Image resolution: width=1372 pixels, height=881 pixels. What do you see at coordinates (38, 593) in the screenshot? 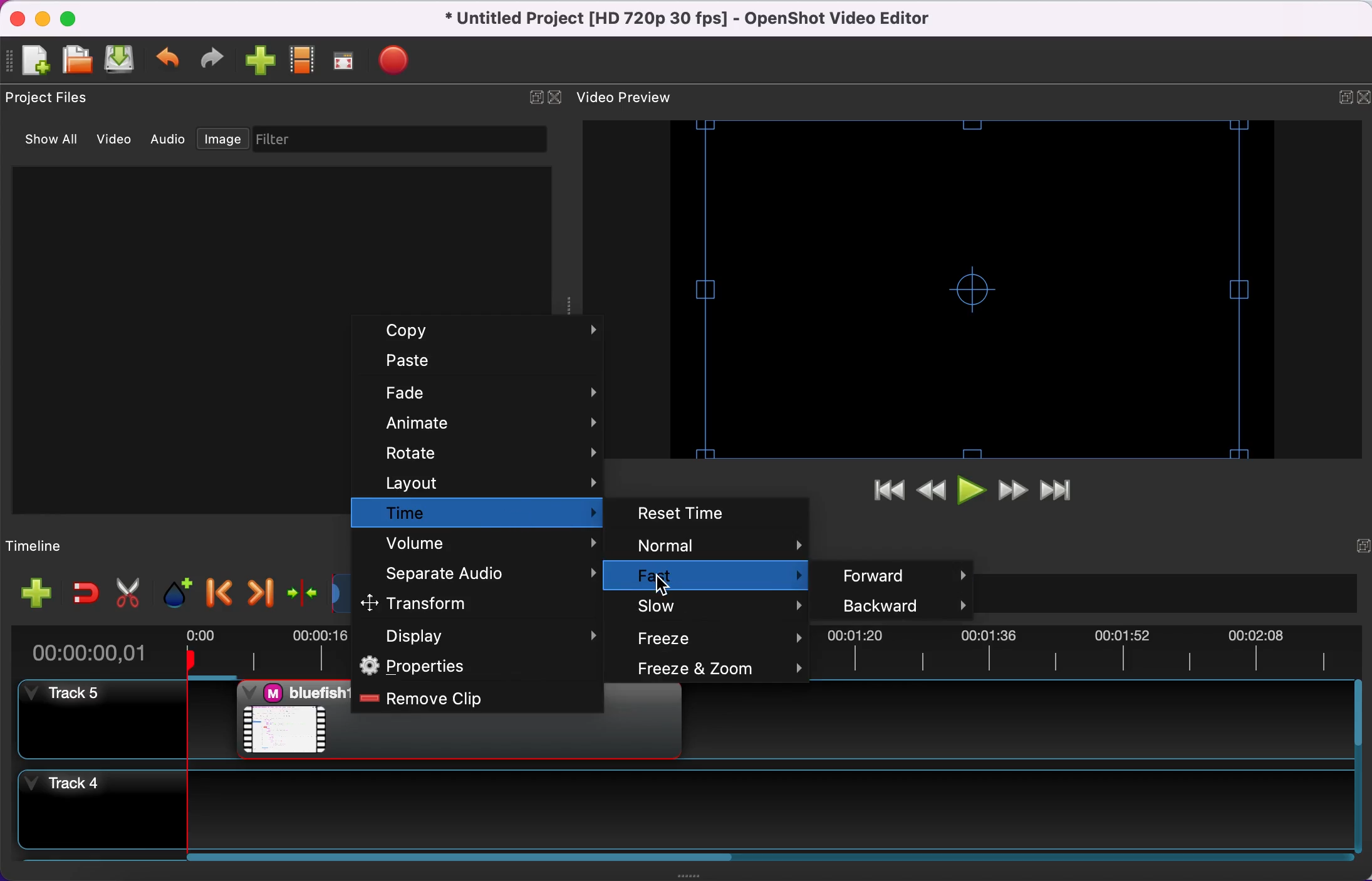
I see `add file` at bounding box center [38, 593].